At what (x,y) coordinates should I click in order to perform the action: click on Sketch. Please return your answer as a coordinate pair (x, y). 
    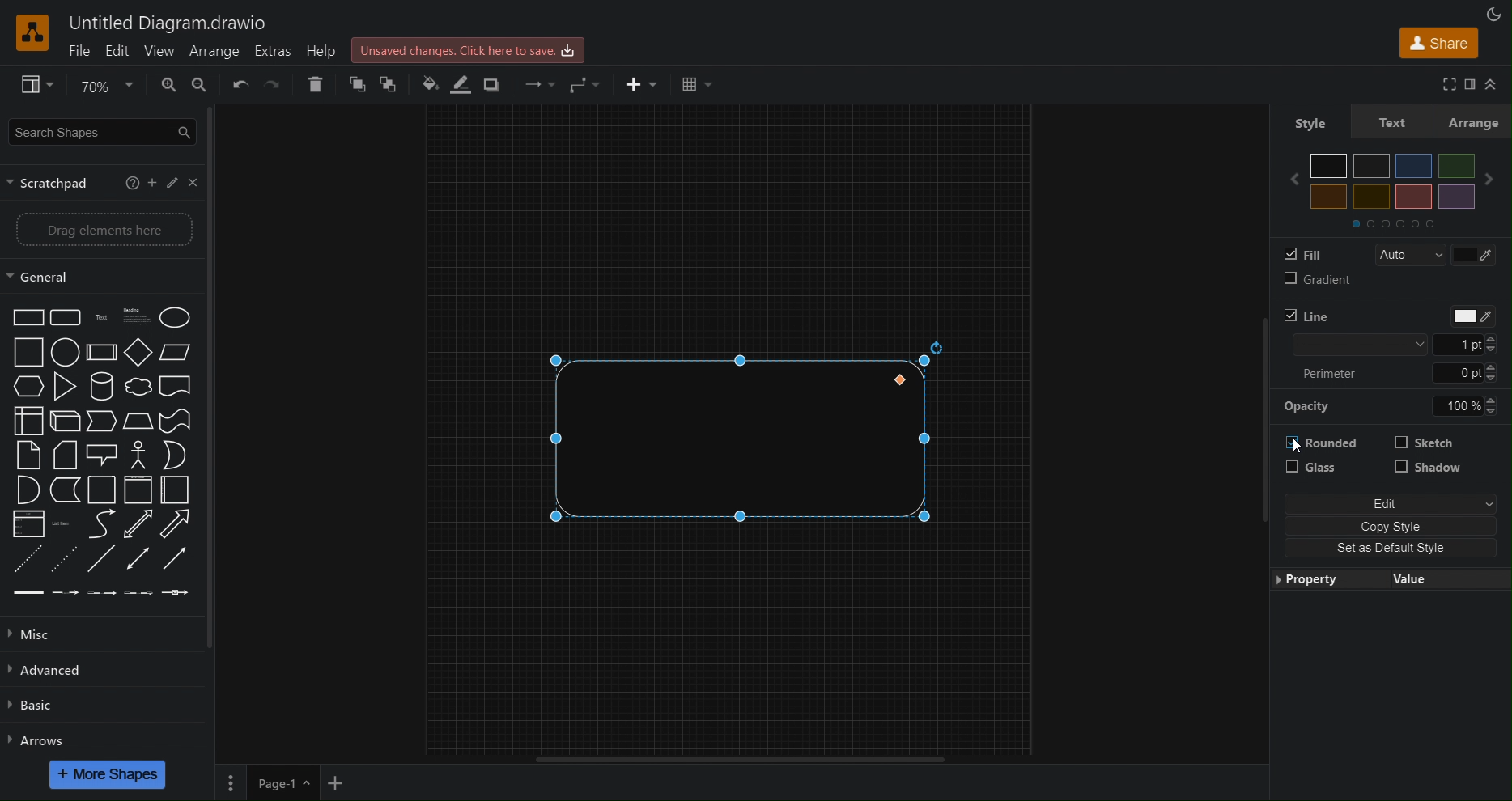
    Looking at the image, I should click on (1429, 444).